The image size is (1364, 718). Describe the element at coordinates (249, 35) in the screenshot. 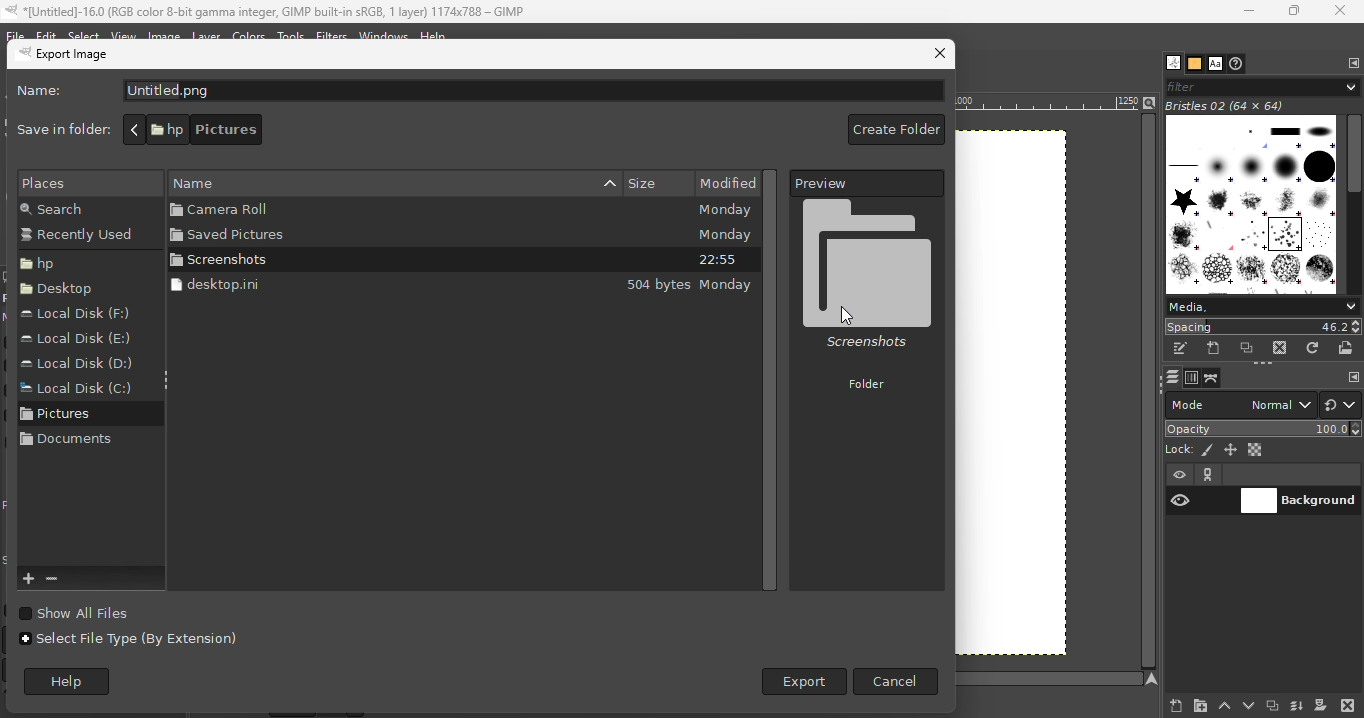

I see `Colors` at that location.